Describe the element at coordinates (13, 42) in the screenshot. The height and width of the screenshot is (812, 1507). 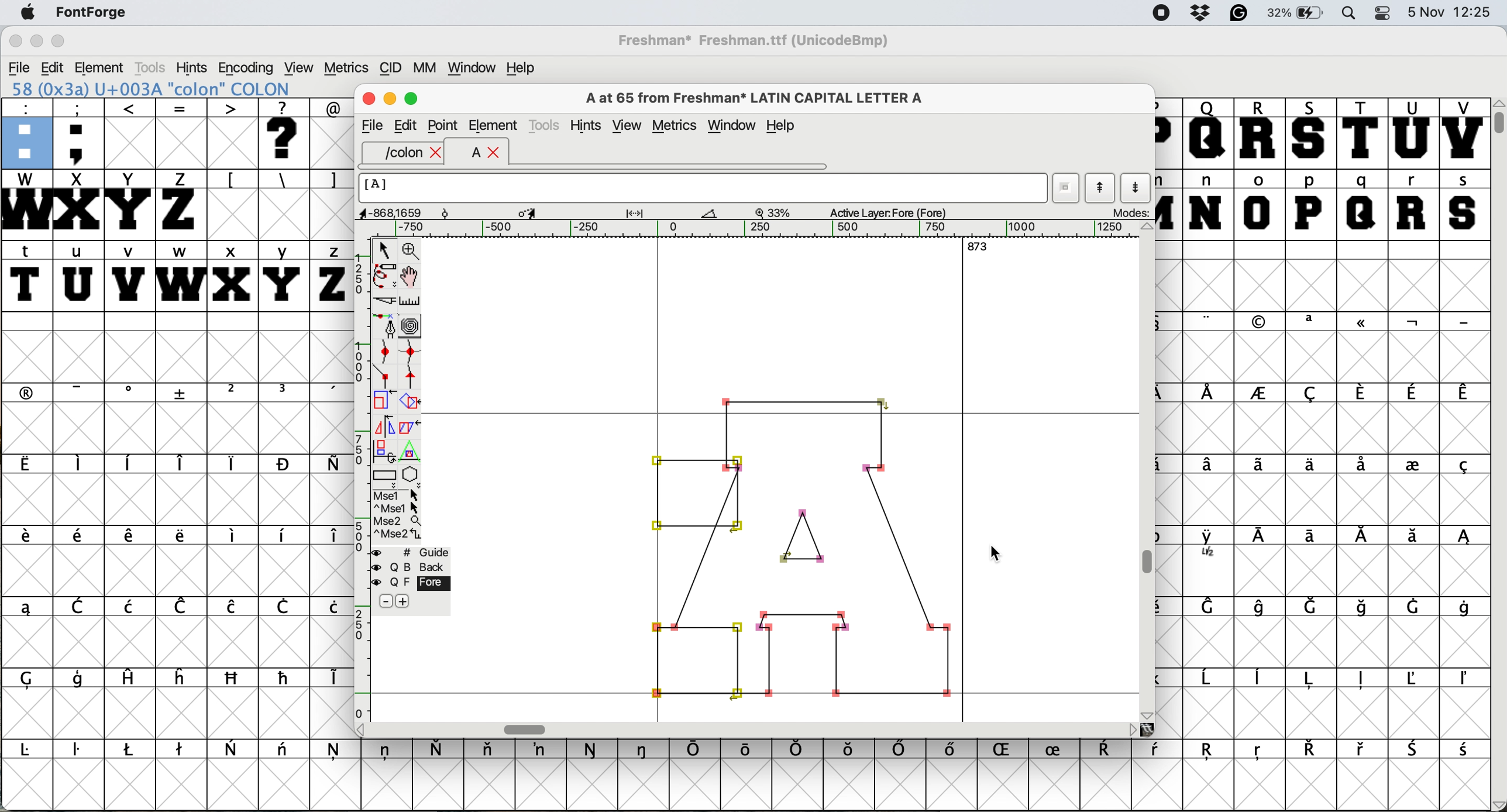
I see `close` at that location.